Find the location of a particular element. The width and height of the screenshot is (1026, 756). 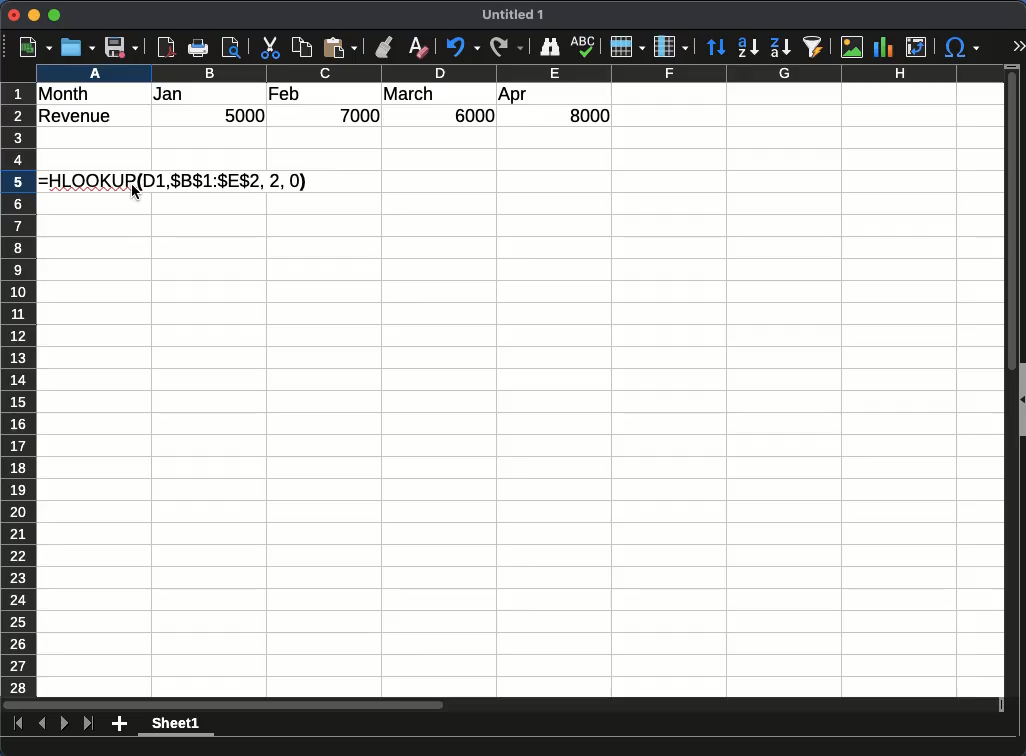

copy is located at coordinates (303, 47).